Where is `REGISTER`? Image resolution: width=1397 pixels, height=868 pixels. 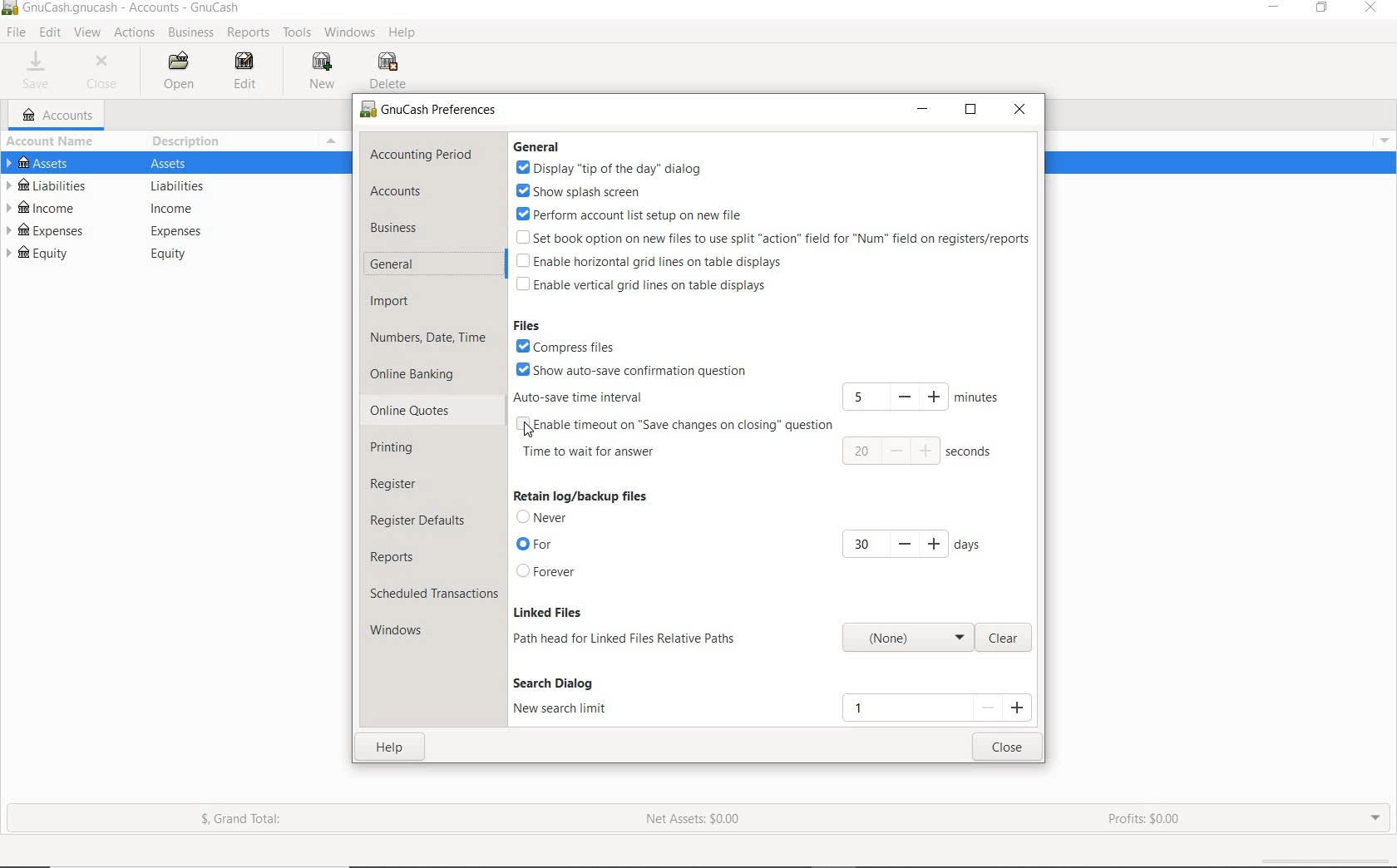 REGISTER is located at coordinates (400, 481).